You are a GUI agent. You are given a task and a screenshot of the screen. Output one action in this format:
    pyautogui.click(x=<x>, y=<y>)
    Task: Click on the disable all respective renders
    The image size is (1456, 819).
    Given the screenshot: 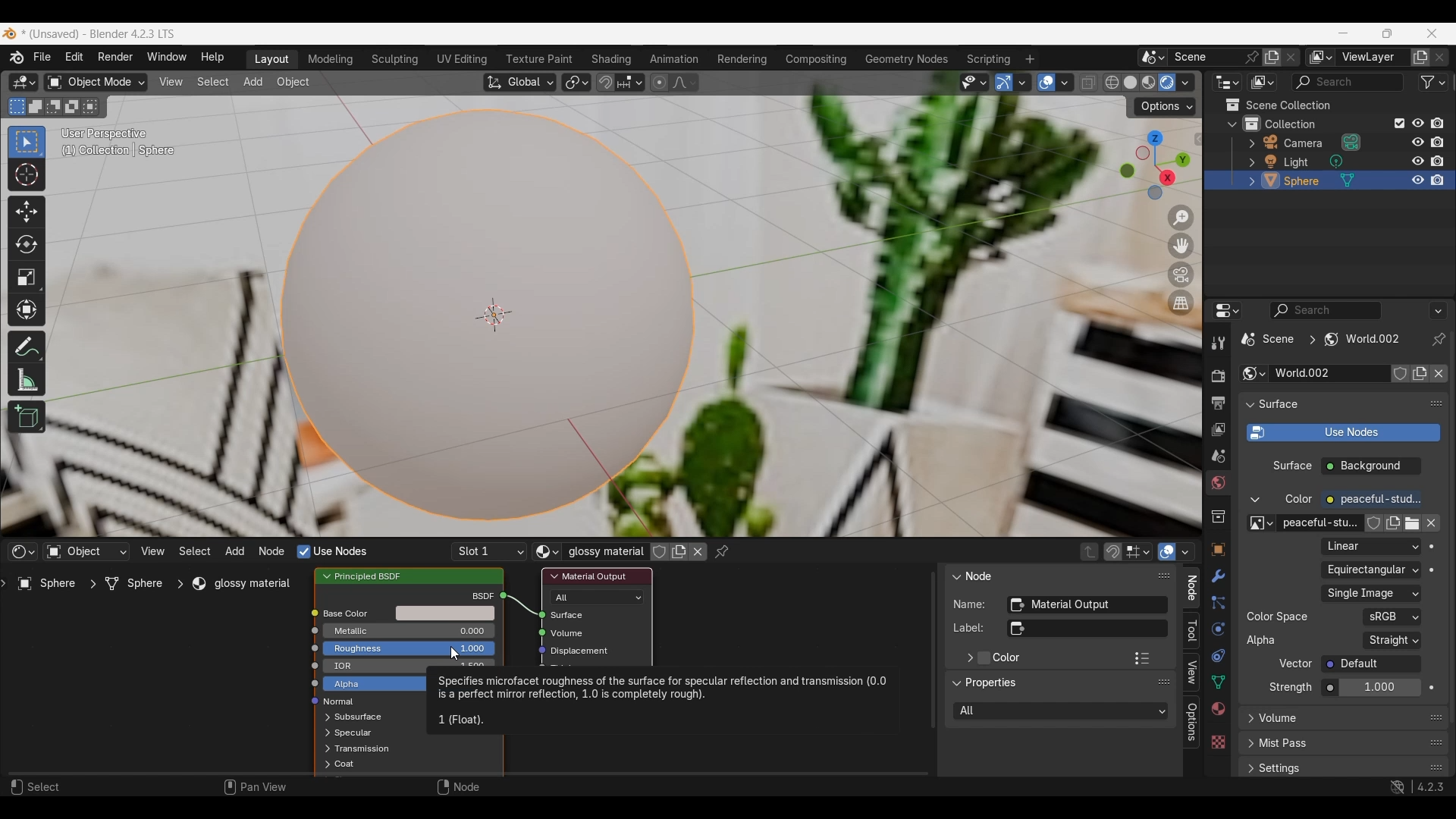 What is the action you would take?
    pyautogui.click(x=1442, y=161)
    